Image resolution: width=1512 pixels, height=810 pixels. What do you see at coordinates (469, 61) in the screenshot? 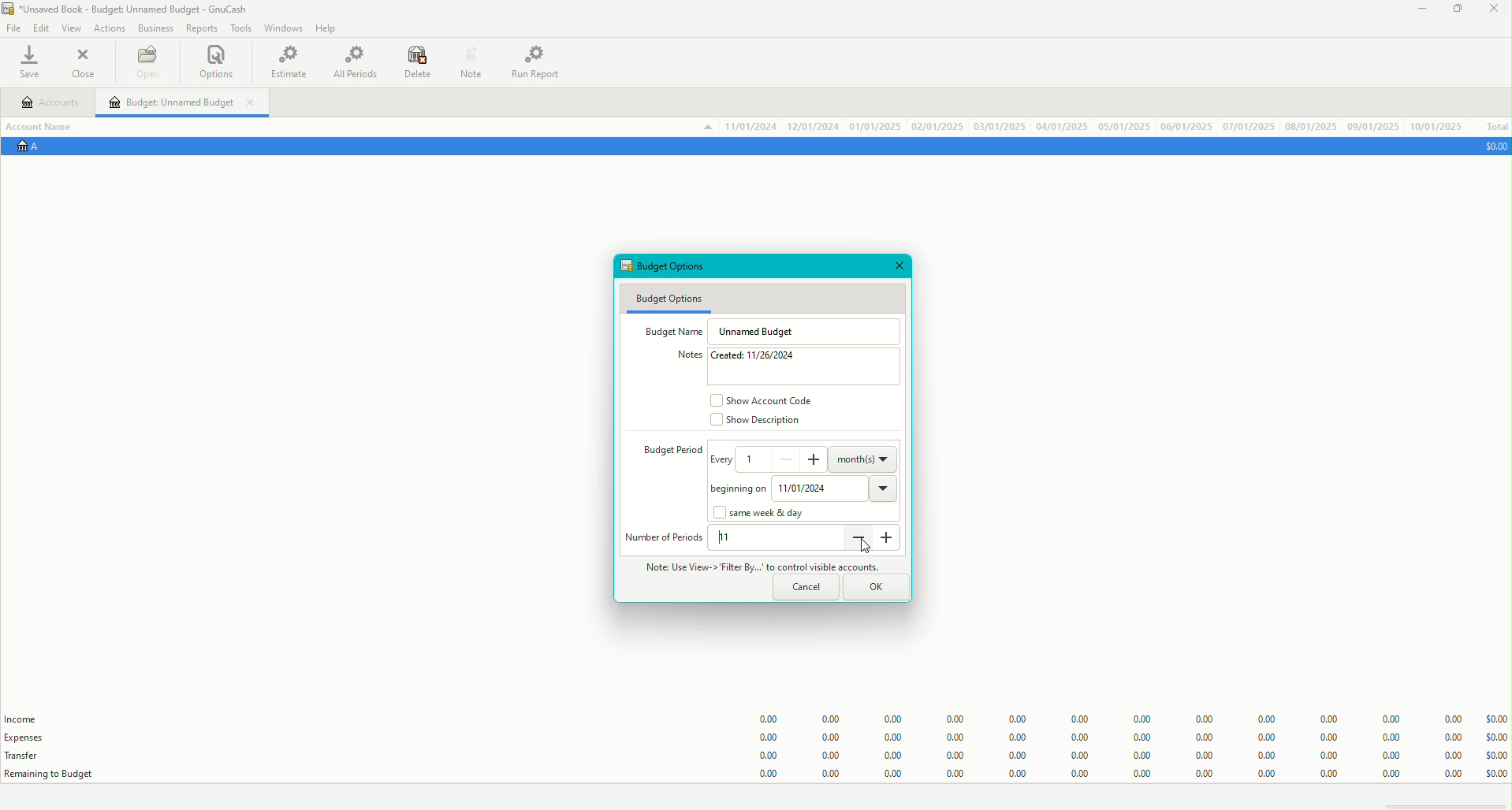
I see `Notes` at bounding box center [469, 61].